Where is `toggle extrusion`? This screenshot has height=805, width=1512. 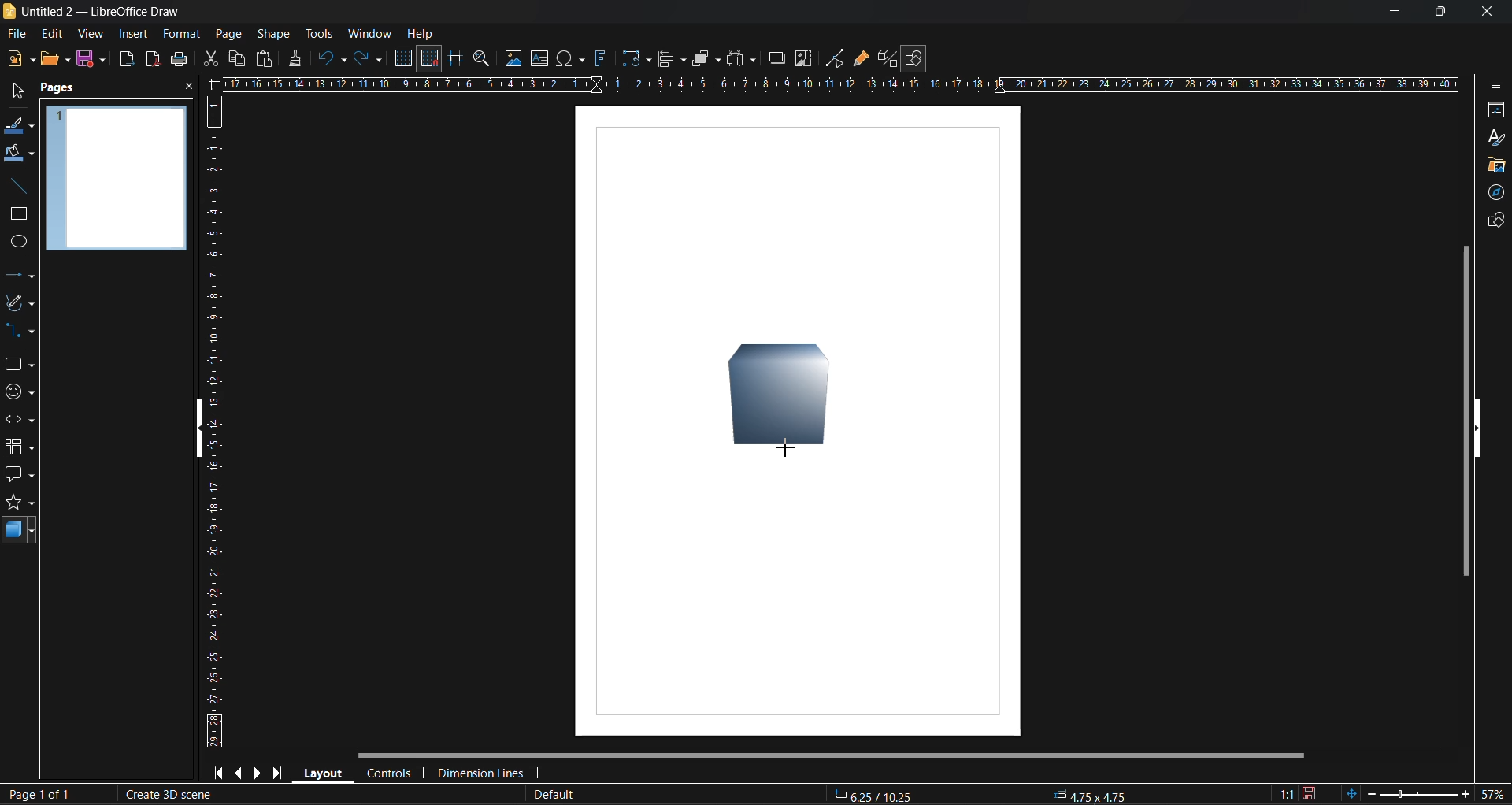
toggle extrusion is located at coordinates (886, 58).